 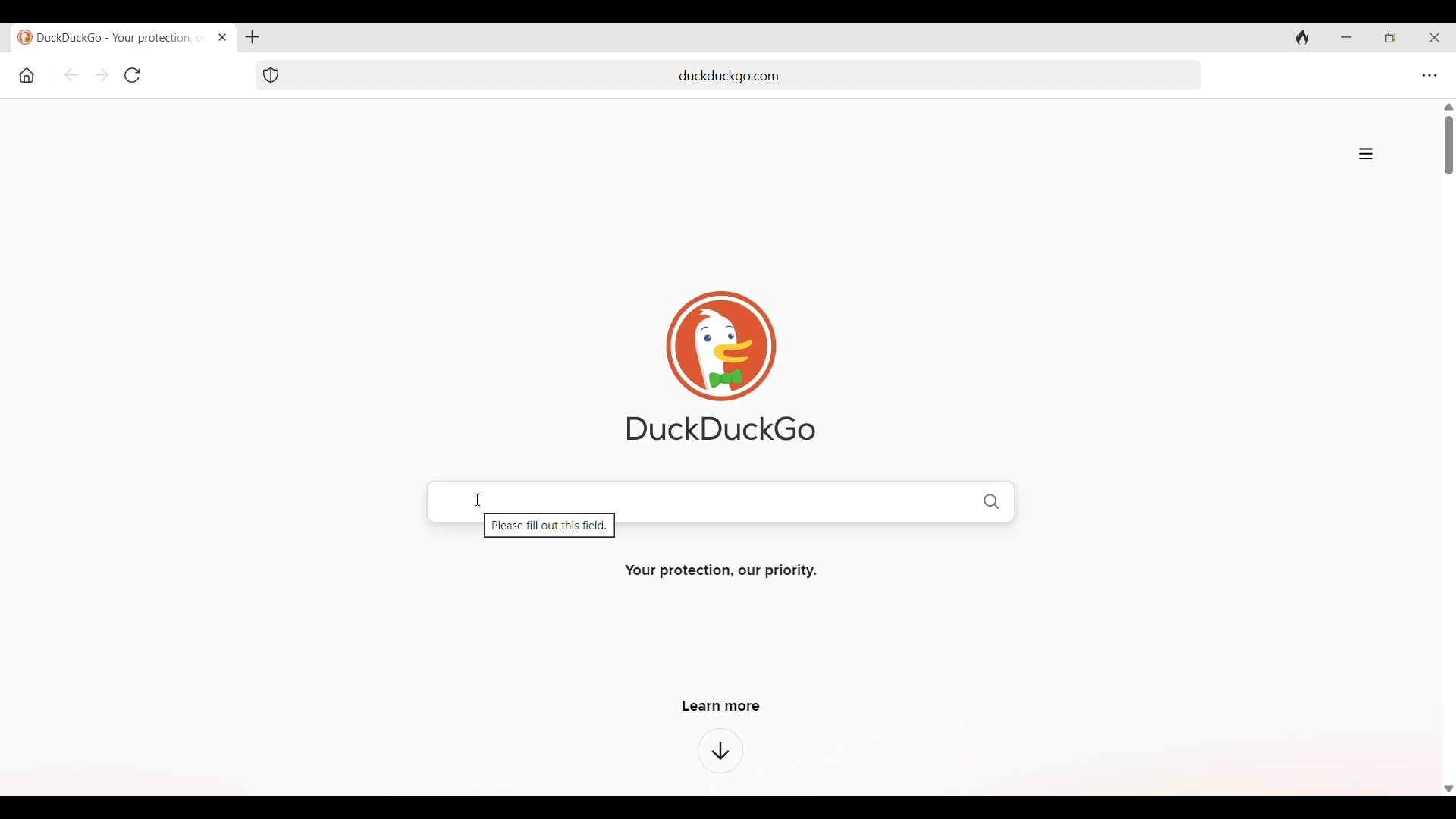 What do you see at coordinates (1347, 37) in the screenshot?
I see `Minimize` at bounding box center [1347, 37].